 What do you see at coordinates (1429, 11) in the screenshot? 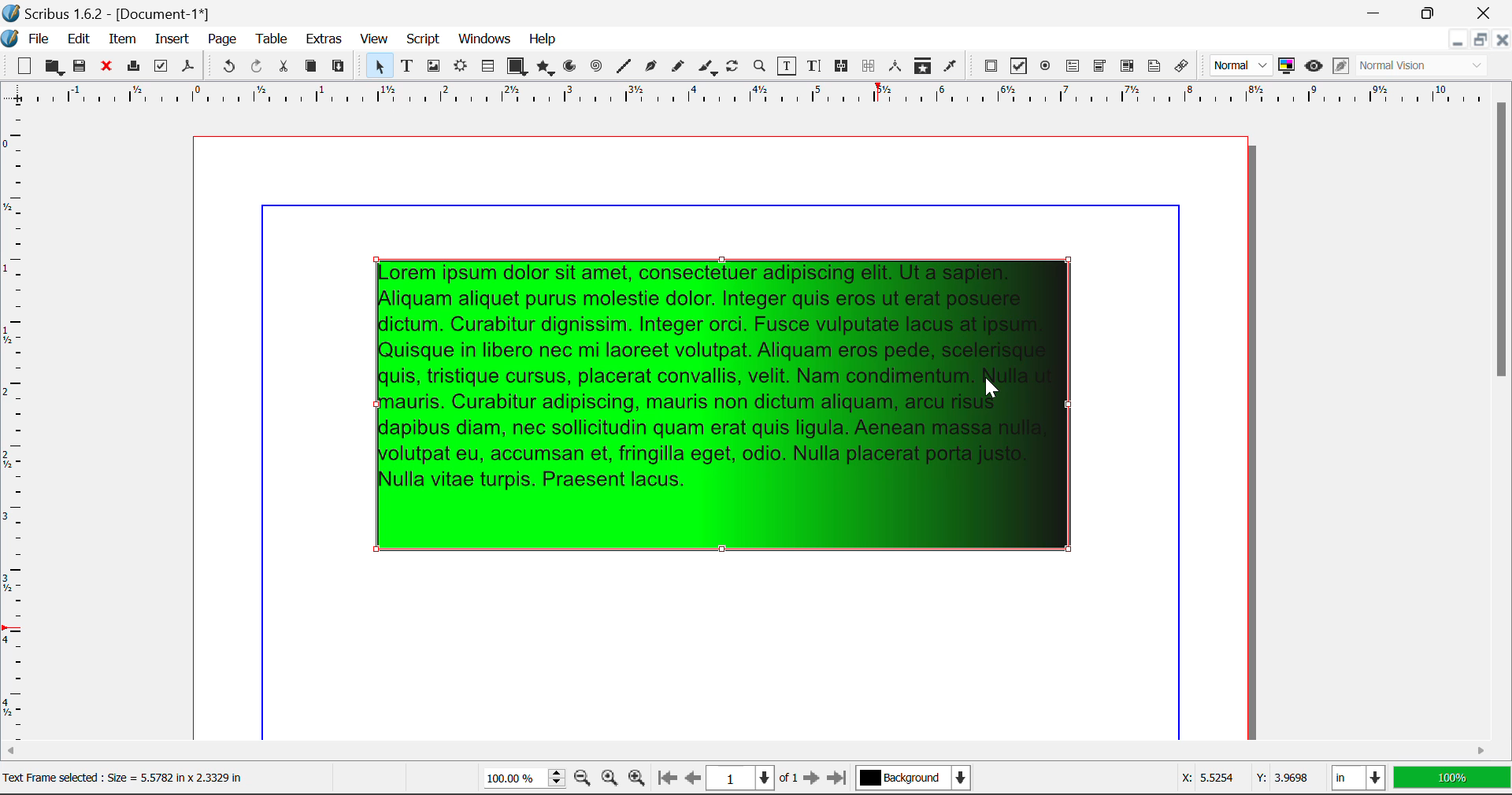
I see `Minimize` at bounding box center [1429, 11].